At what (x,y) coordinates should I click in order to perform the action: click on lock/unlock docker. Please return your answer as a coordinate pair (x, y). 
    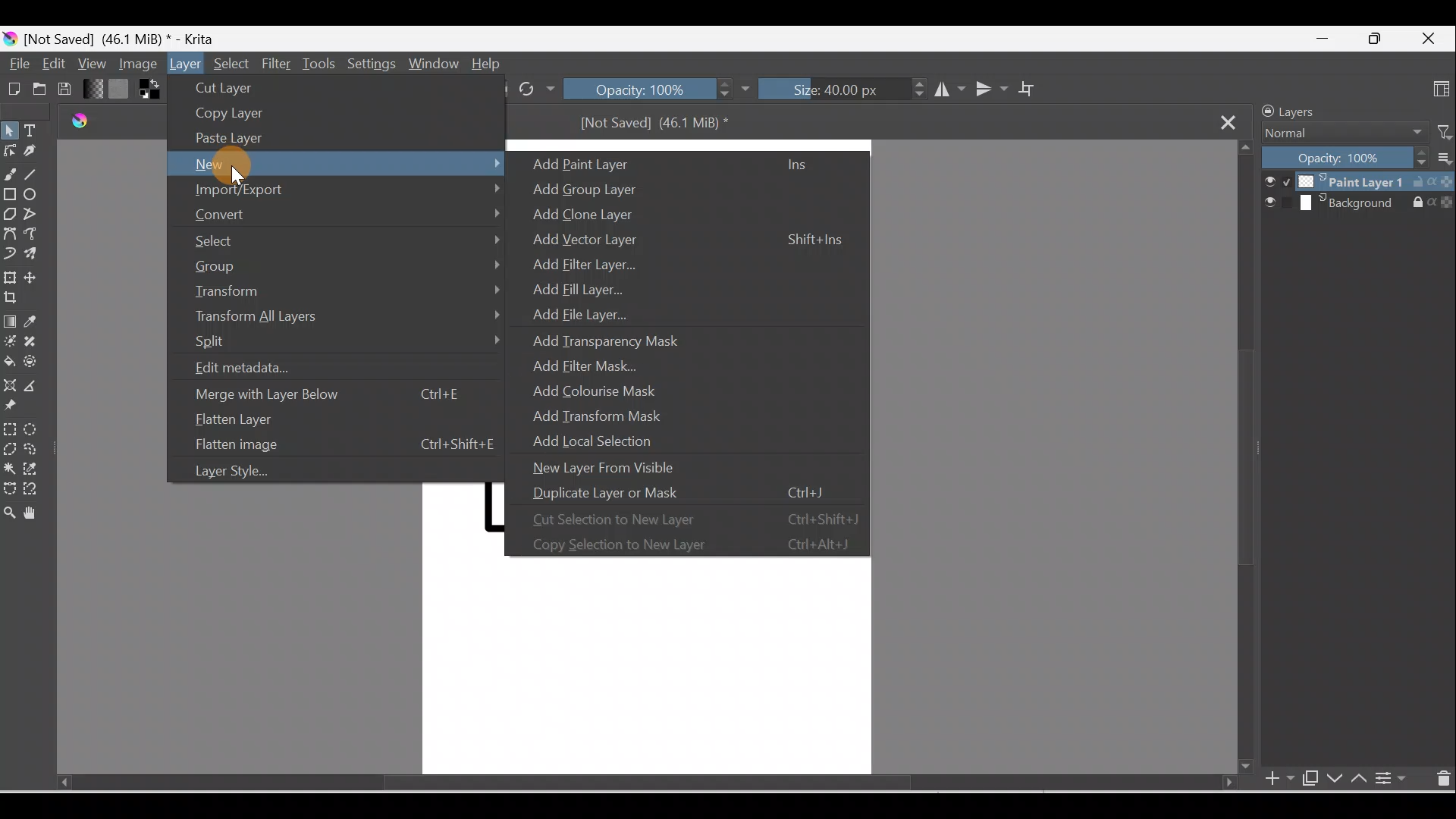
    Looking at the image, I should click on (1265, 111).